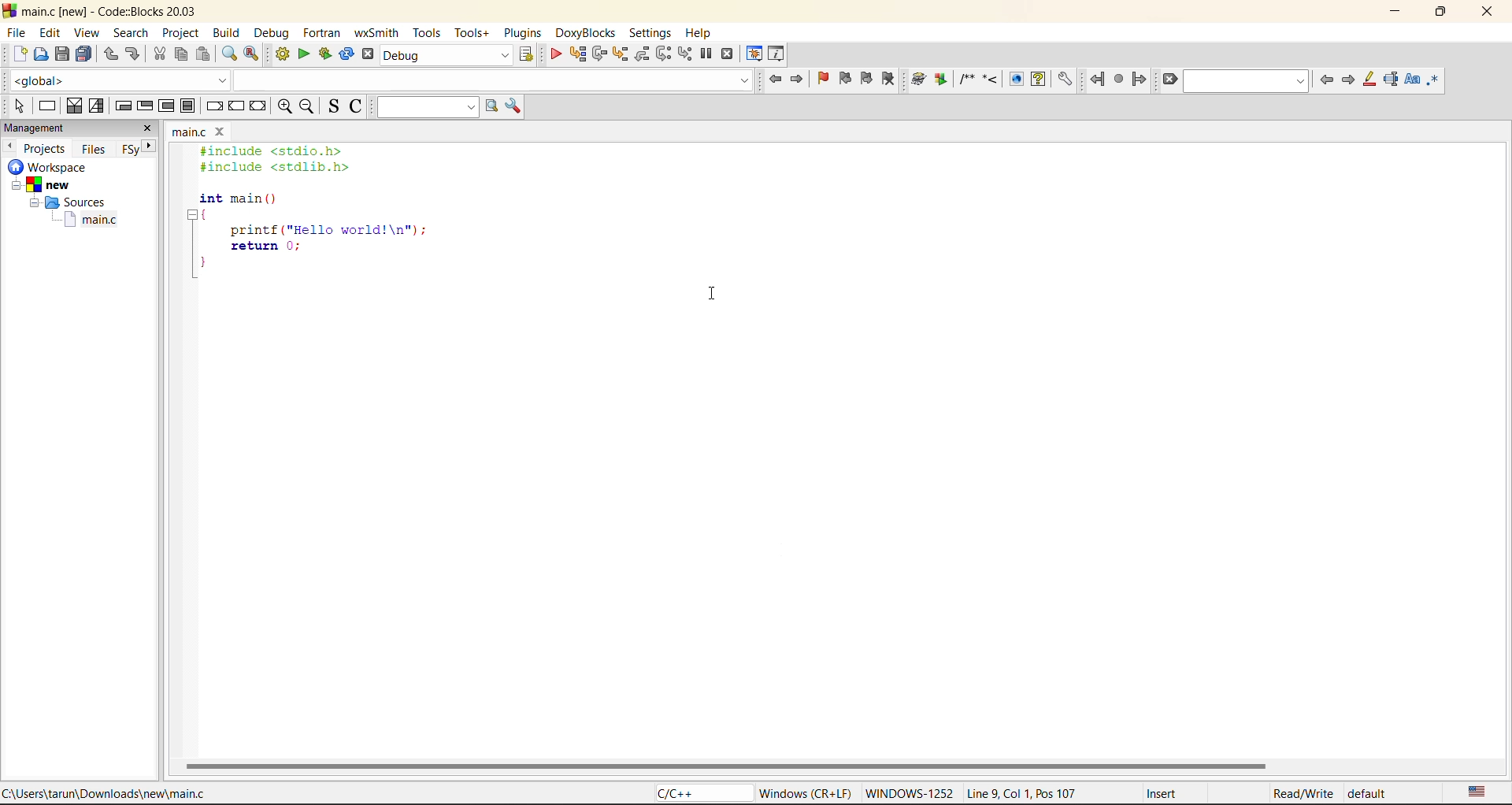 This screenshot has height=805, width=1512. Describe the element at coordinates (9, 146) in the screenshot. I see `previous` at that location.